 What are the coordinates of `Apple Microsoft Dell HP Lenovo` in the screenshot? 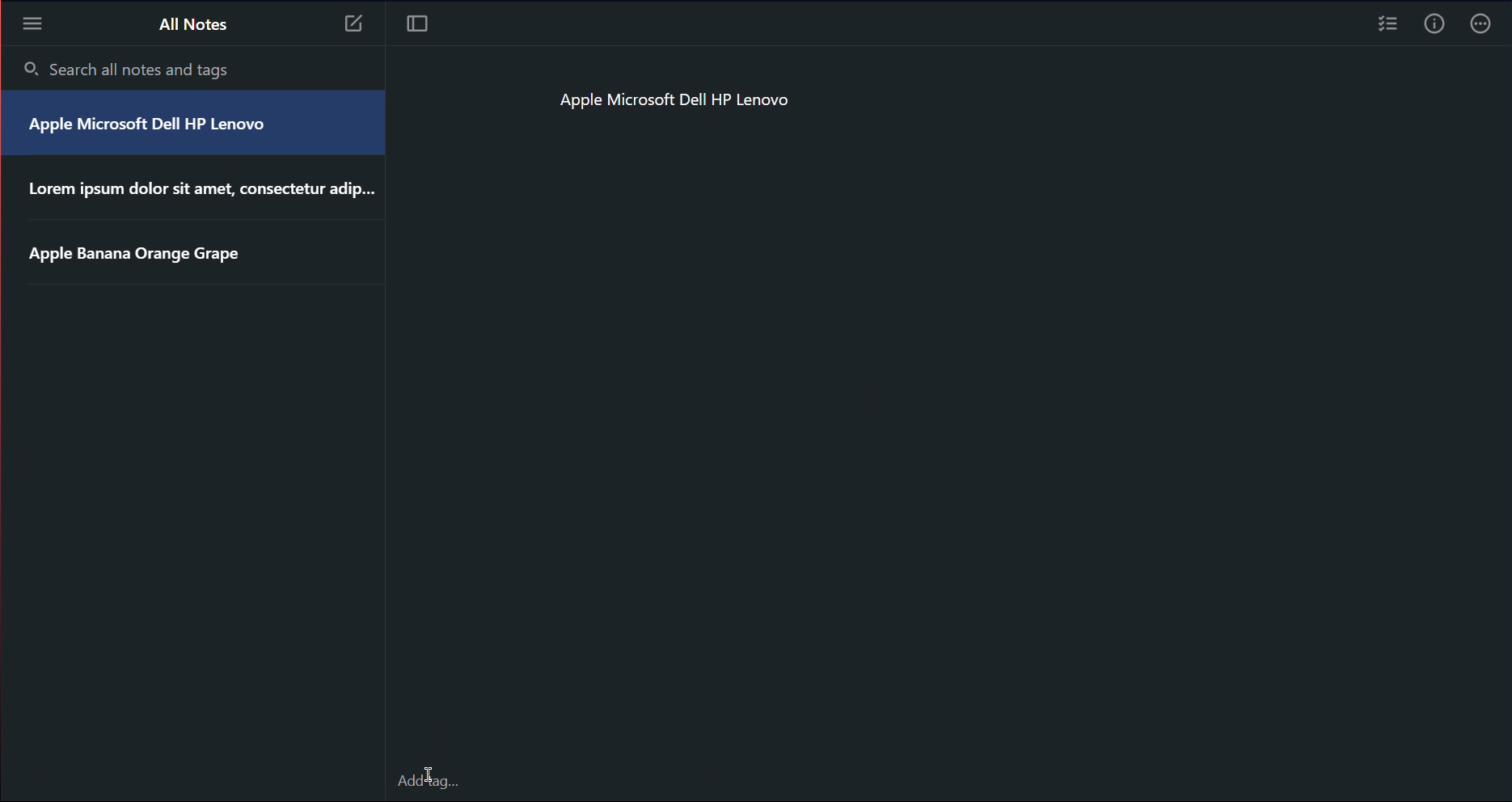 It's located at (698, 97).